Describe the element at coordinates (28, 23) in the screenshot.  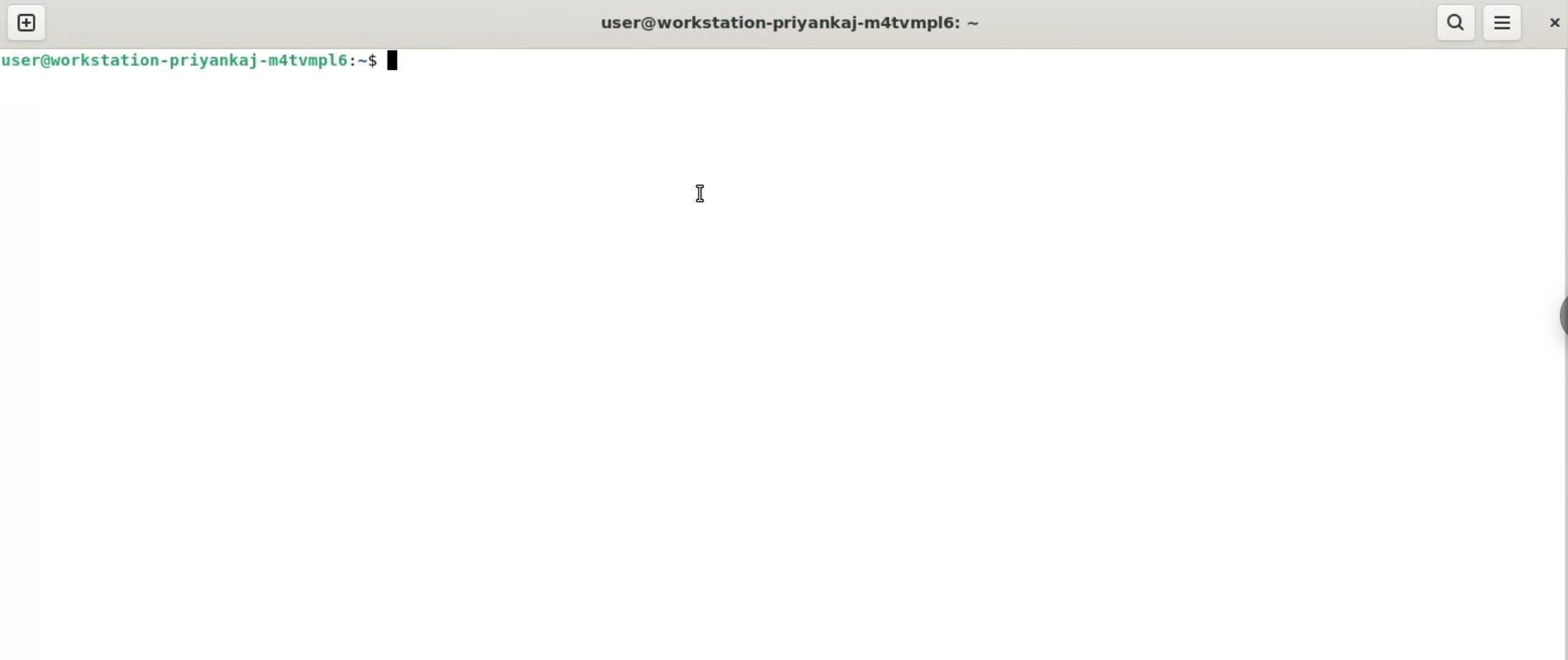
I see `new tab` at that location.